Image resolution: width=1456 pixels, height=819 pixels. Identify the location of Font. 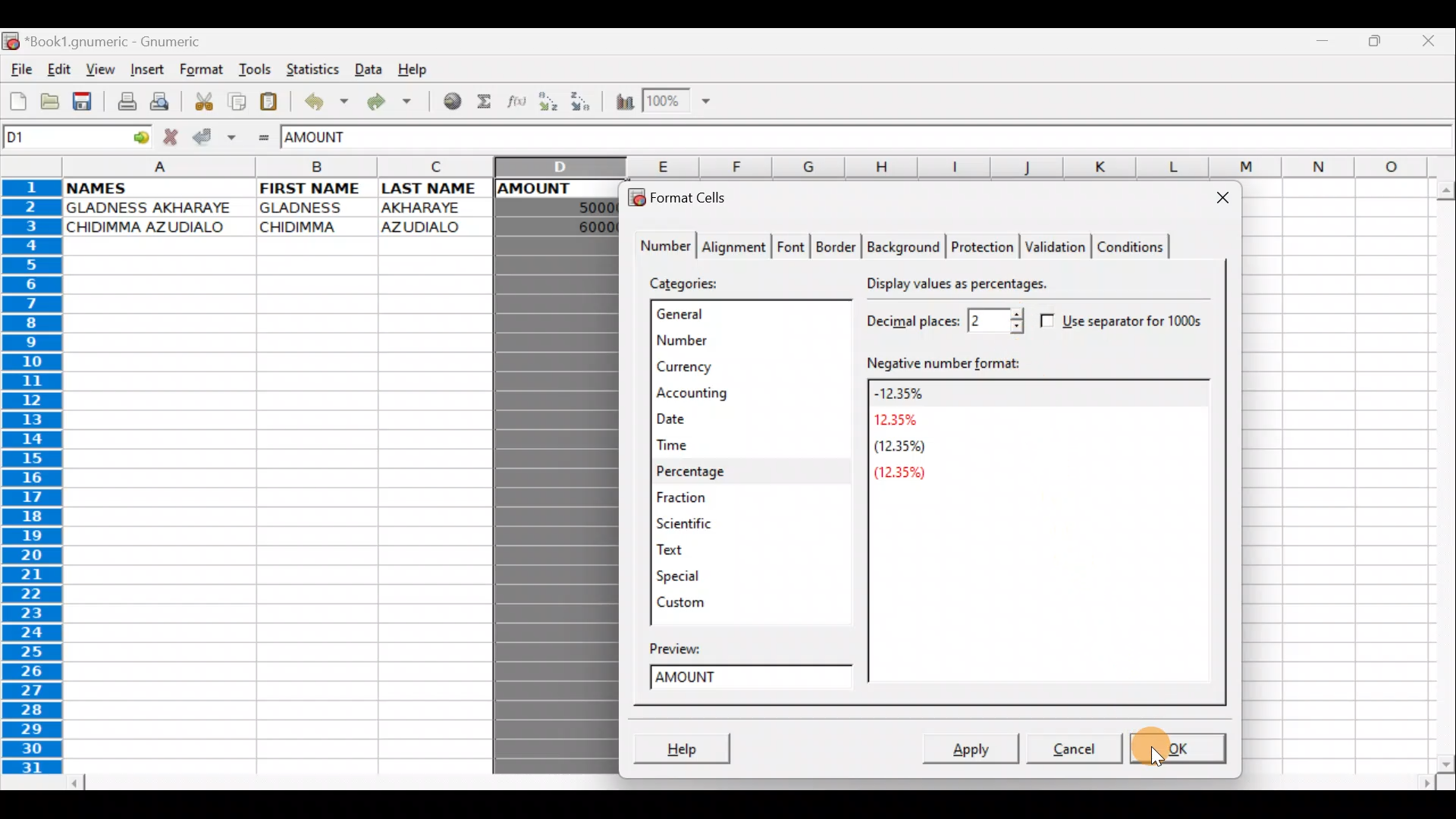
(792, 245).